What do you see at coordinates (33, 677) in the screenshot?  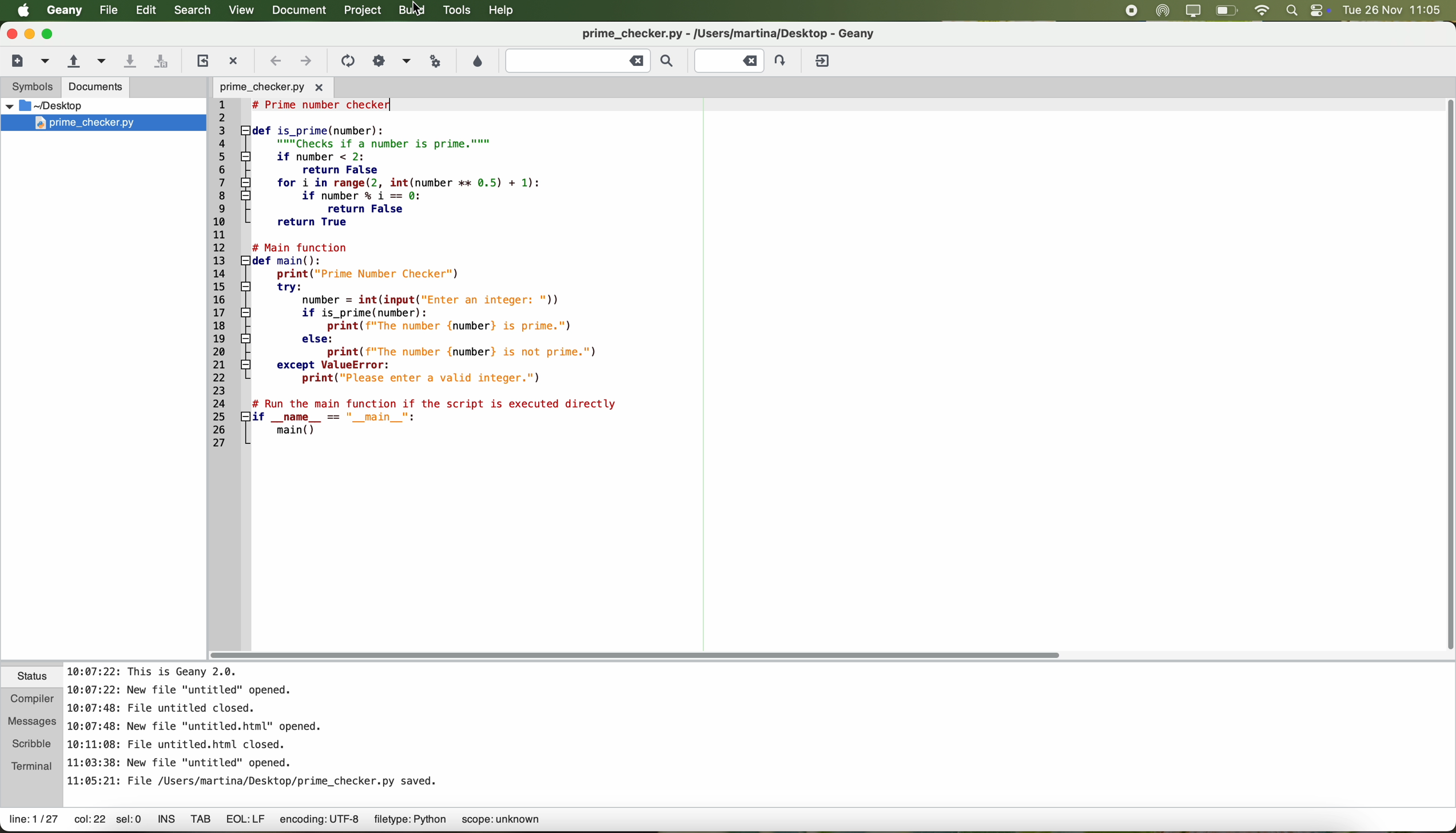 I see `status` at bounding box center [33, 677].